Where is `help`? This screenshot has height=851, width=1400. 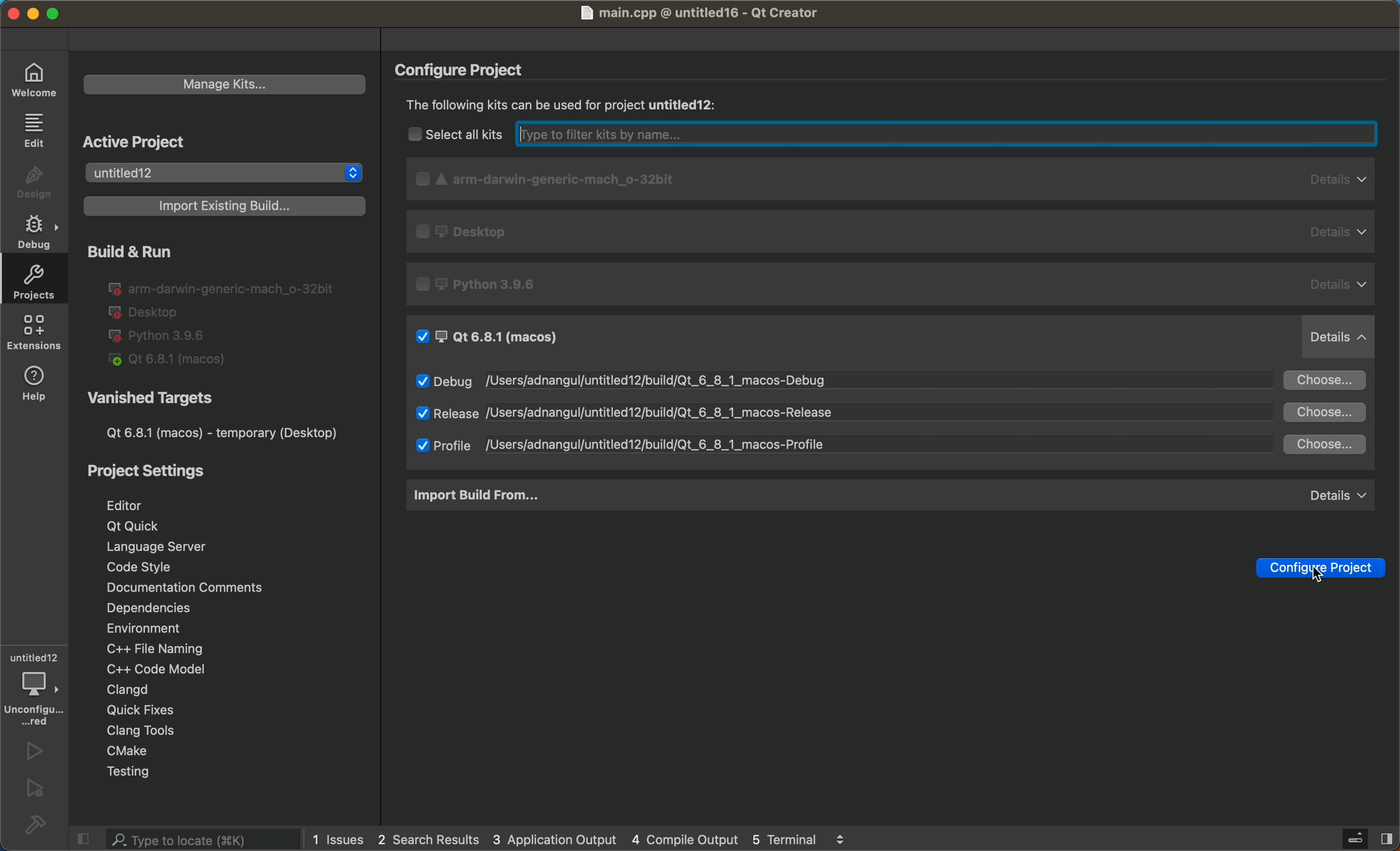
help is located at coordinates (39, 385).